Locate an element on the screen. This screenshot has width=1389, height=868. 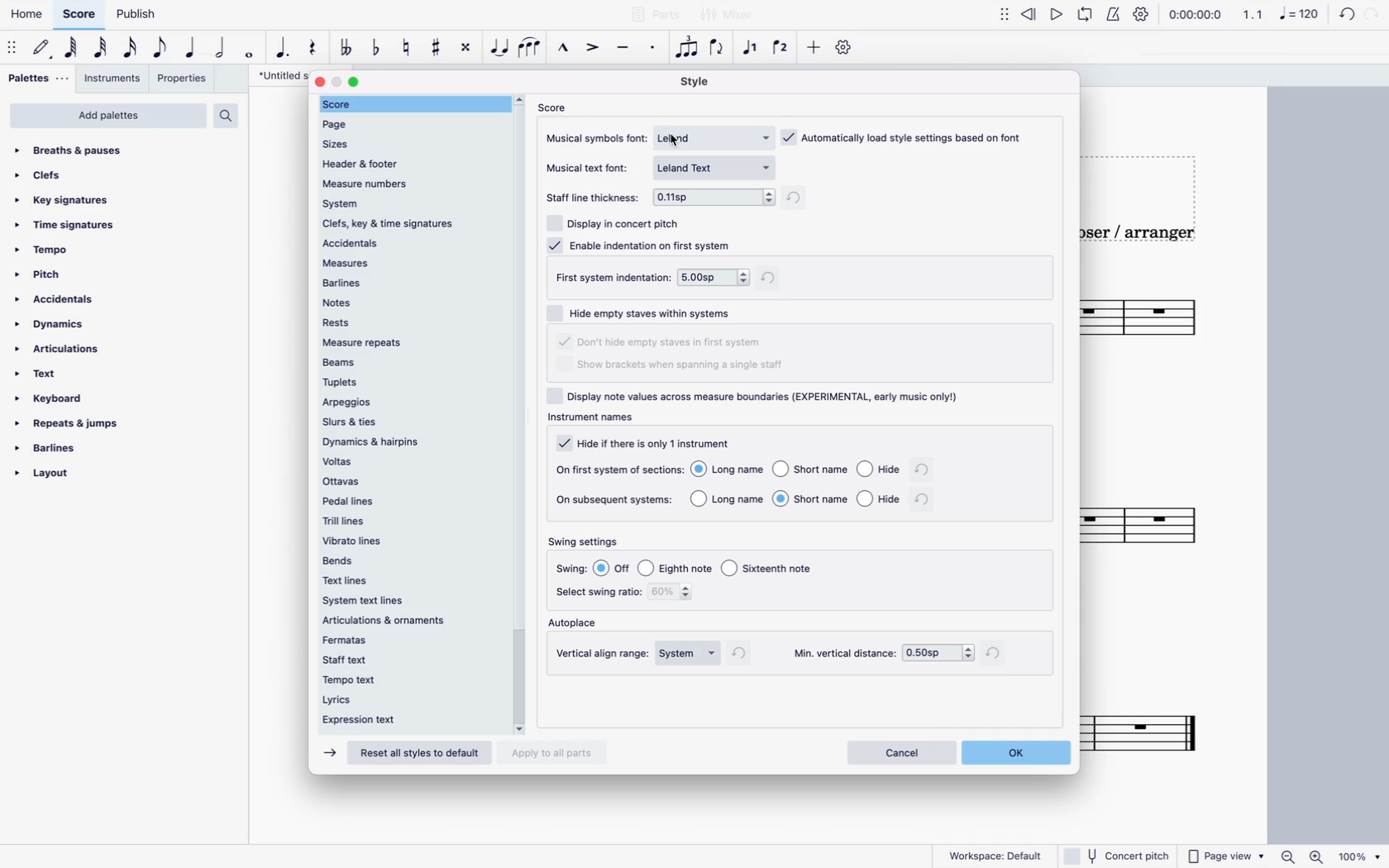
refresh is located at coordinates (798, 199).